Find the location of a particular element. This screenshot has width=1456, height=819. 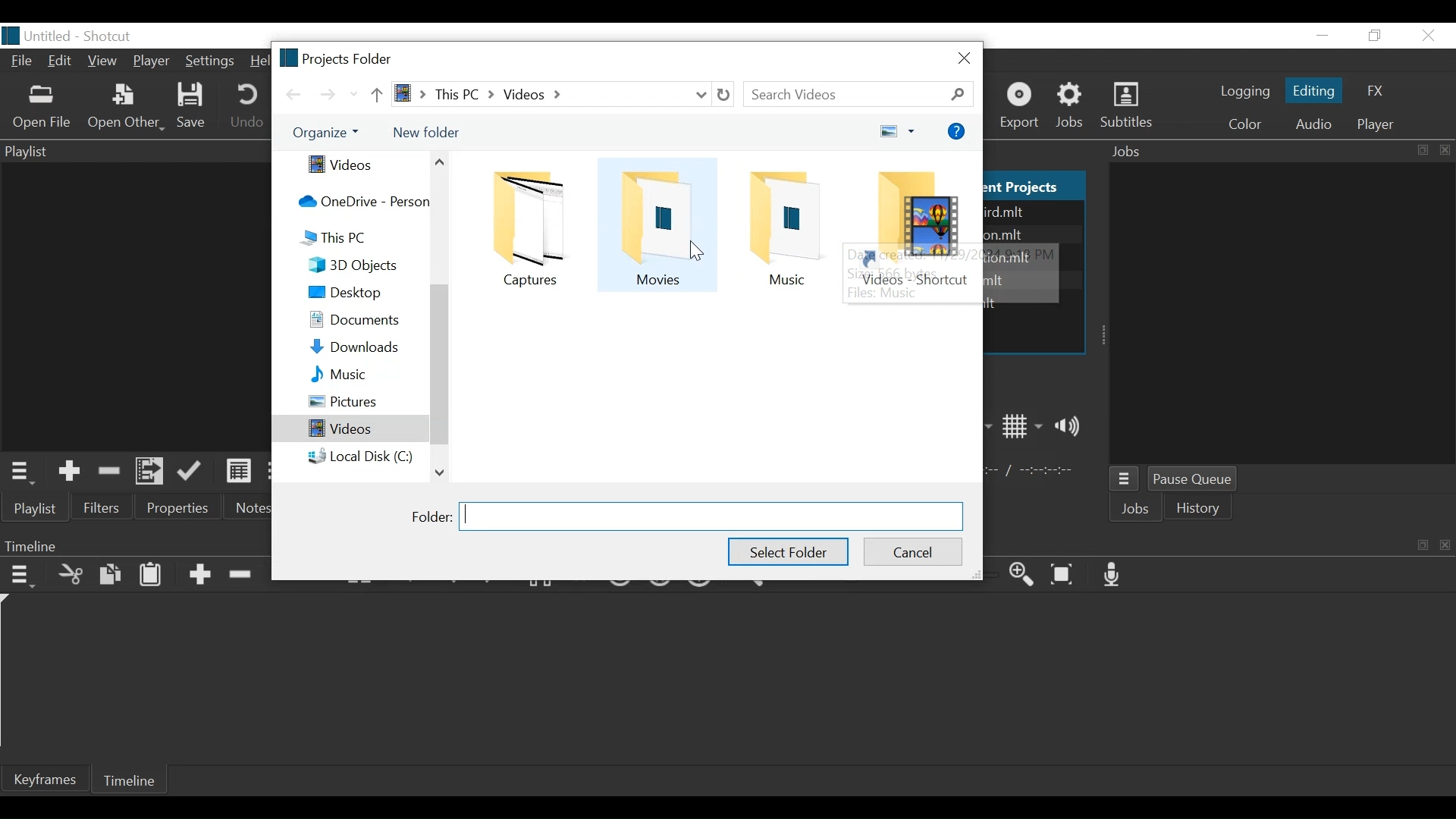

Timeline Panel is located at coordinates (1227, 543).